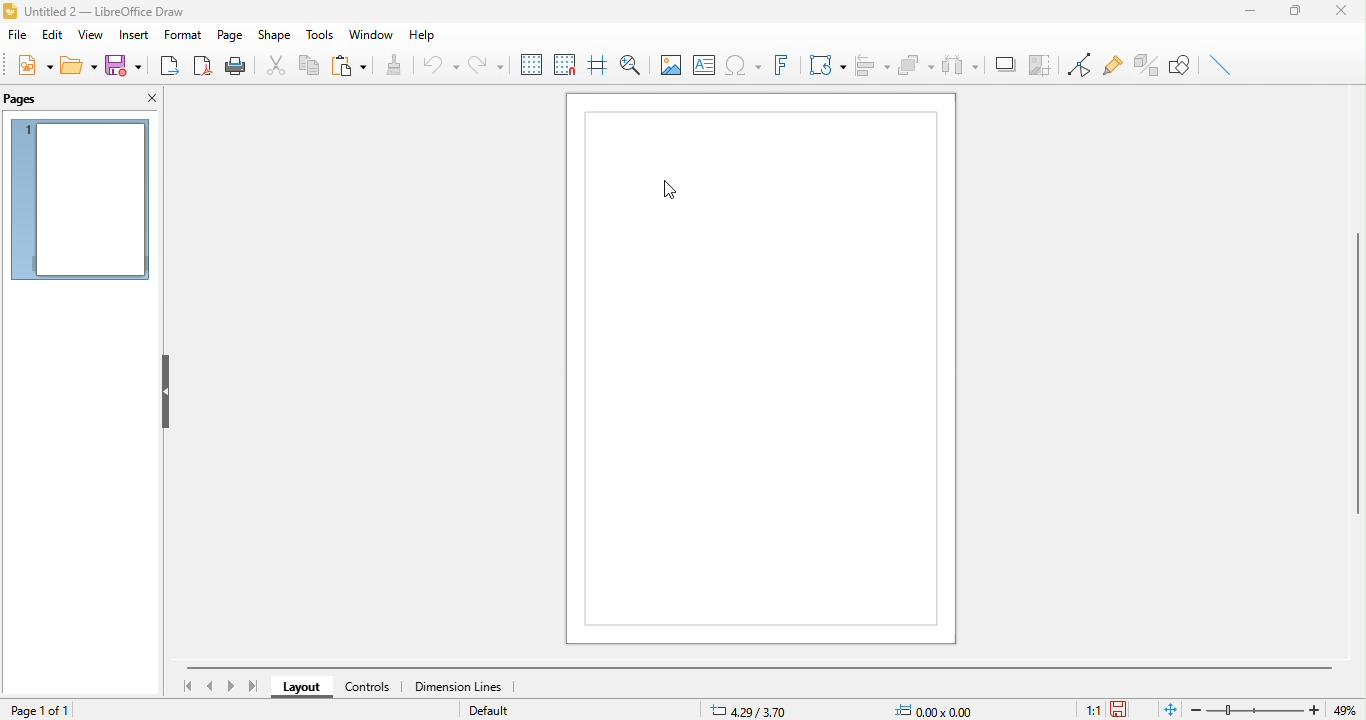 Image resolution: width=1366 pixels, height=720 pixels. What do you see at coordinates (26, 103) in the screenshot?
I see `pages` at bounding box center [26, 103].